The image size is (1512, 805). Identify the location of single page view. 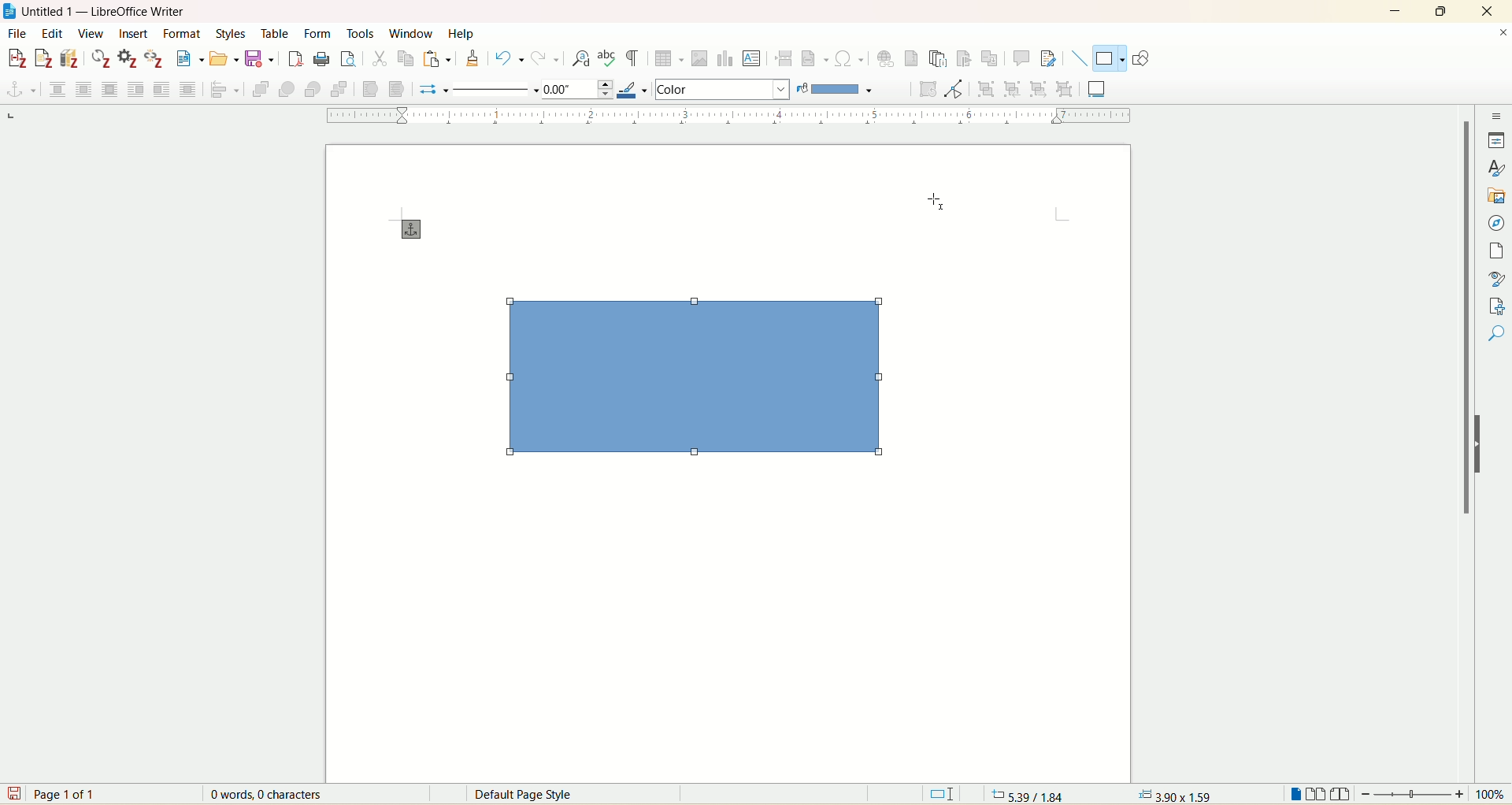
(1295, 793).